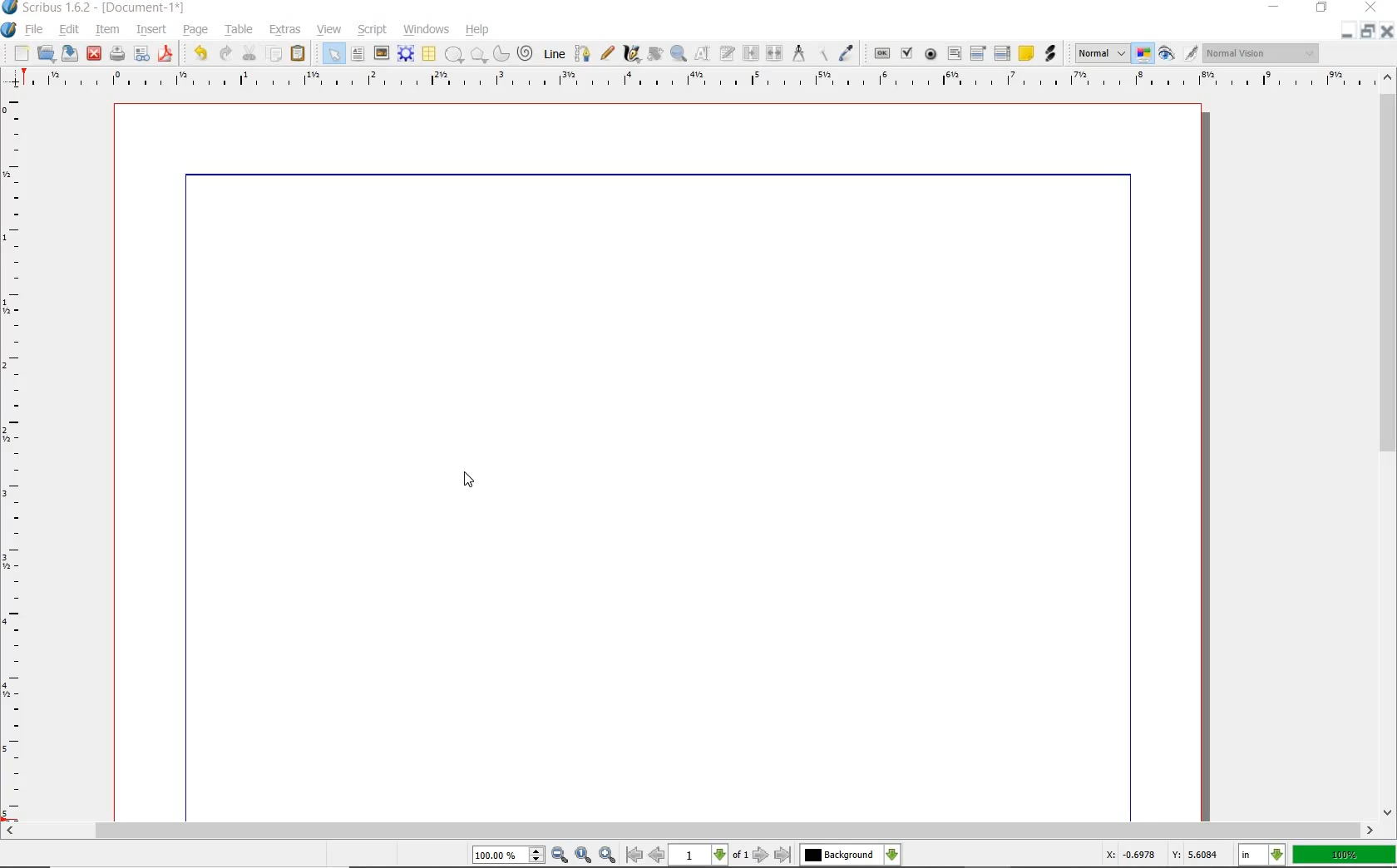  What do you see at coordinates (9, 30) in the screenshot?
I see `SYSTEM LOGO` at bounding box center [9, 30].